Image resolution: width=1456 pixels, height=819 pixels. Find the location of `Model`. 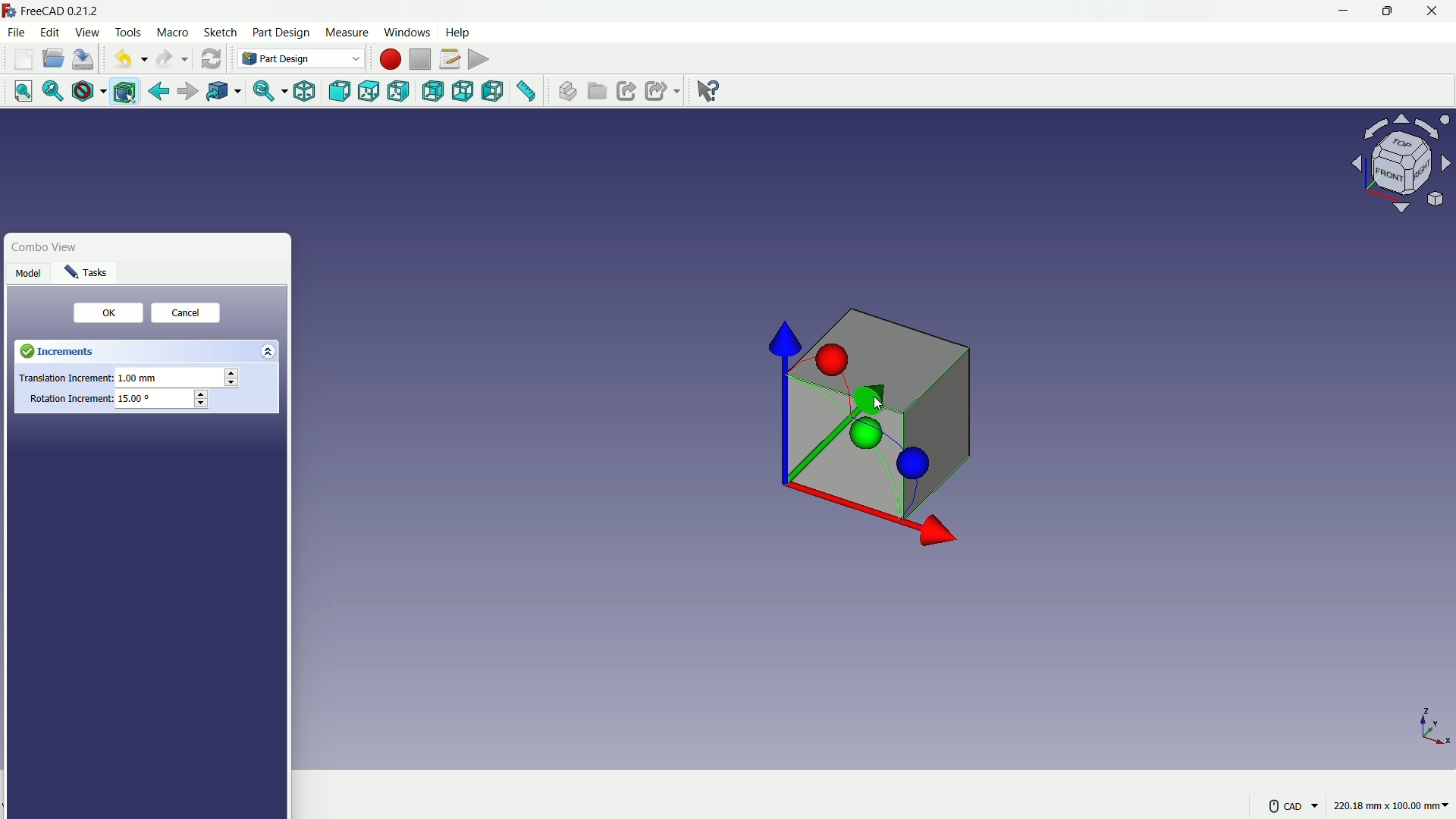

Model is located at coordinates (29, 273).